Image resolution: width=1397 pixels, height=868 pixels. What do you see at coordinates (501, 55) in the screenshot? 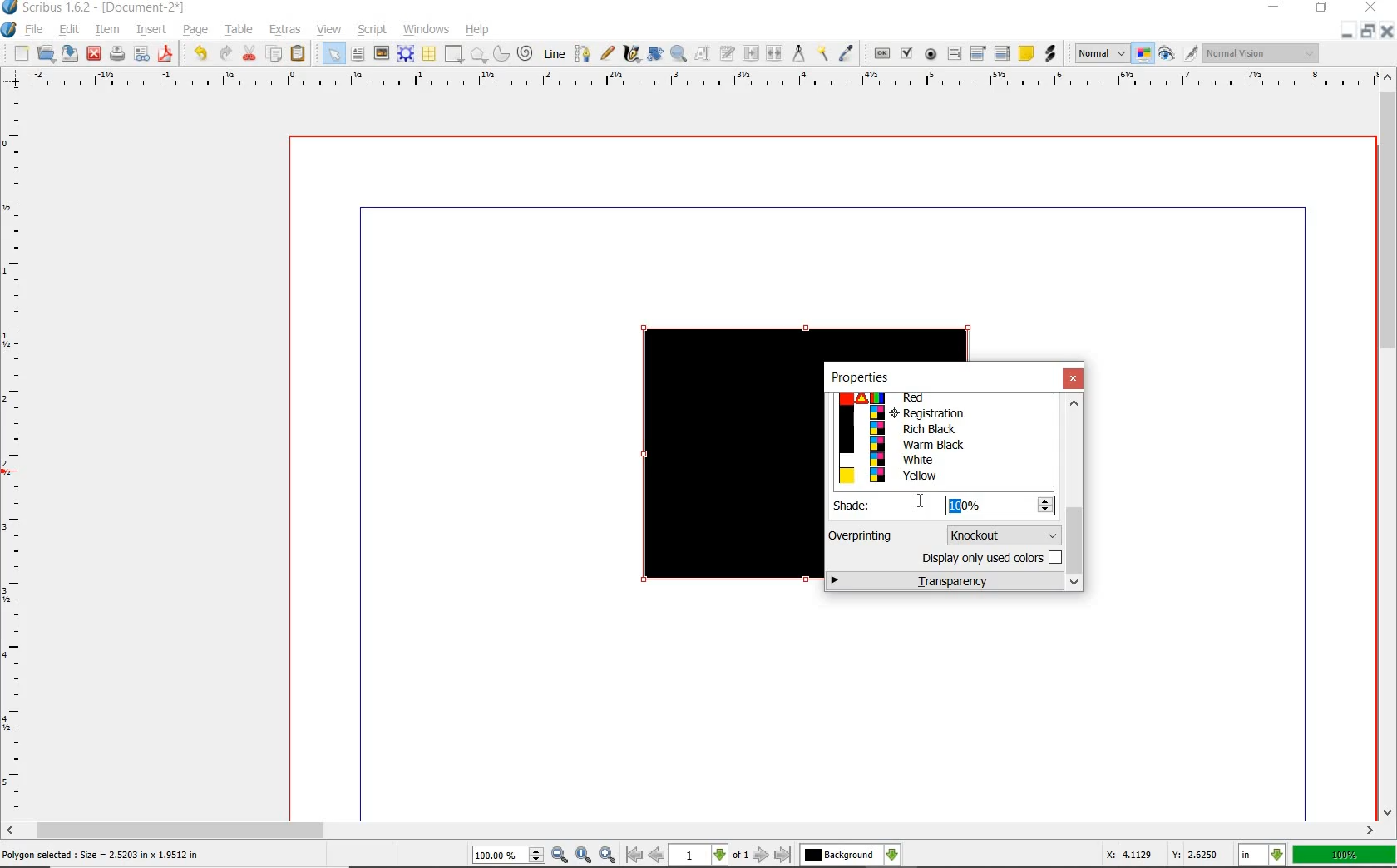
I see `arc` at bounding box center [501, 55].